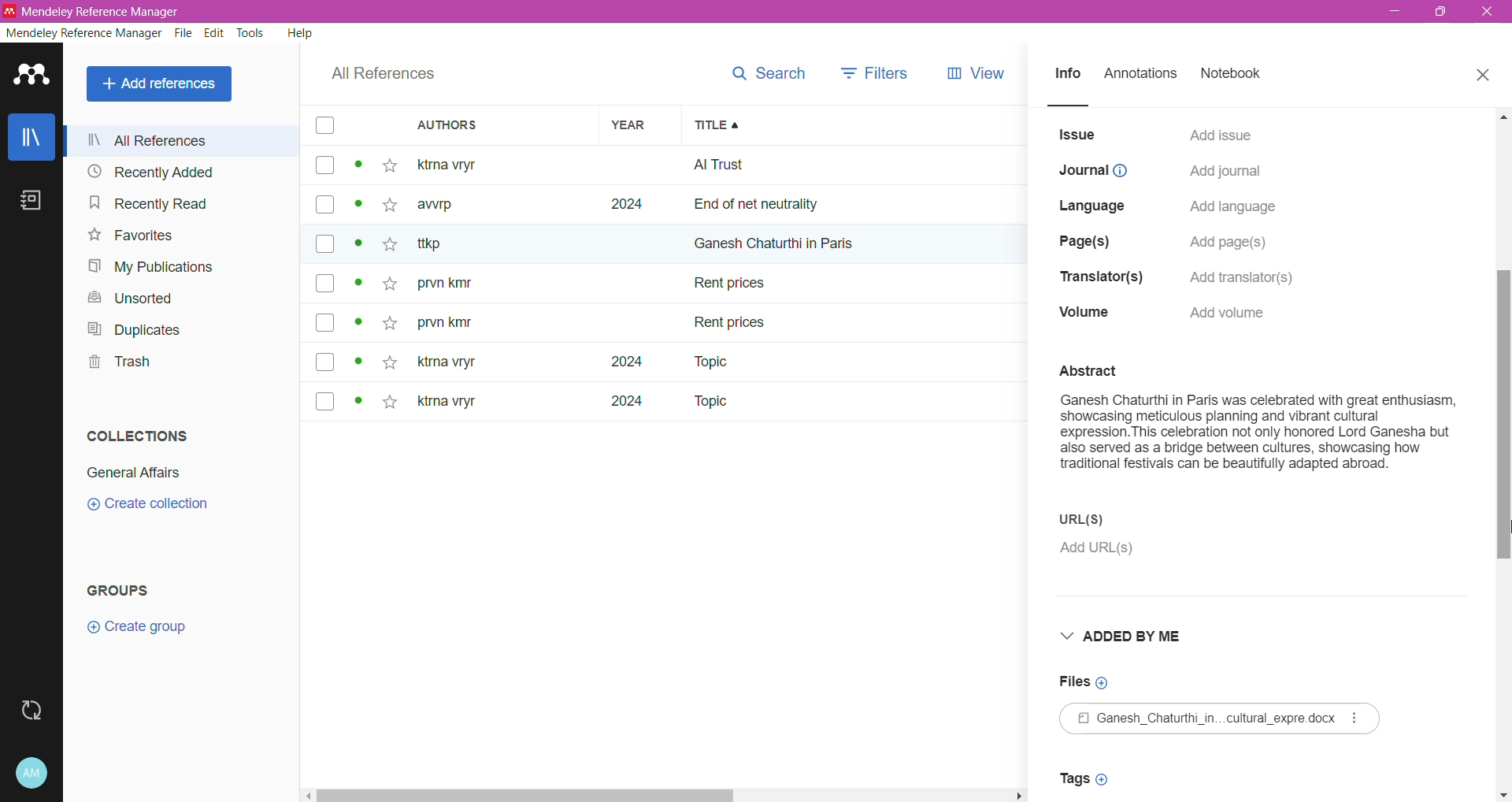  What do you see at coordinates (29, 200) in the screenshot?
I see `Notes` at bounding box center [29, 200].